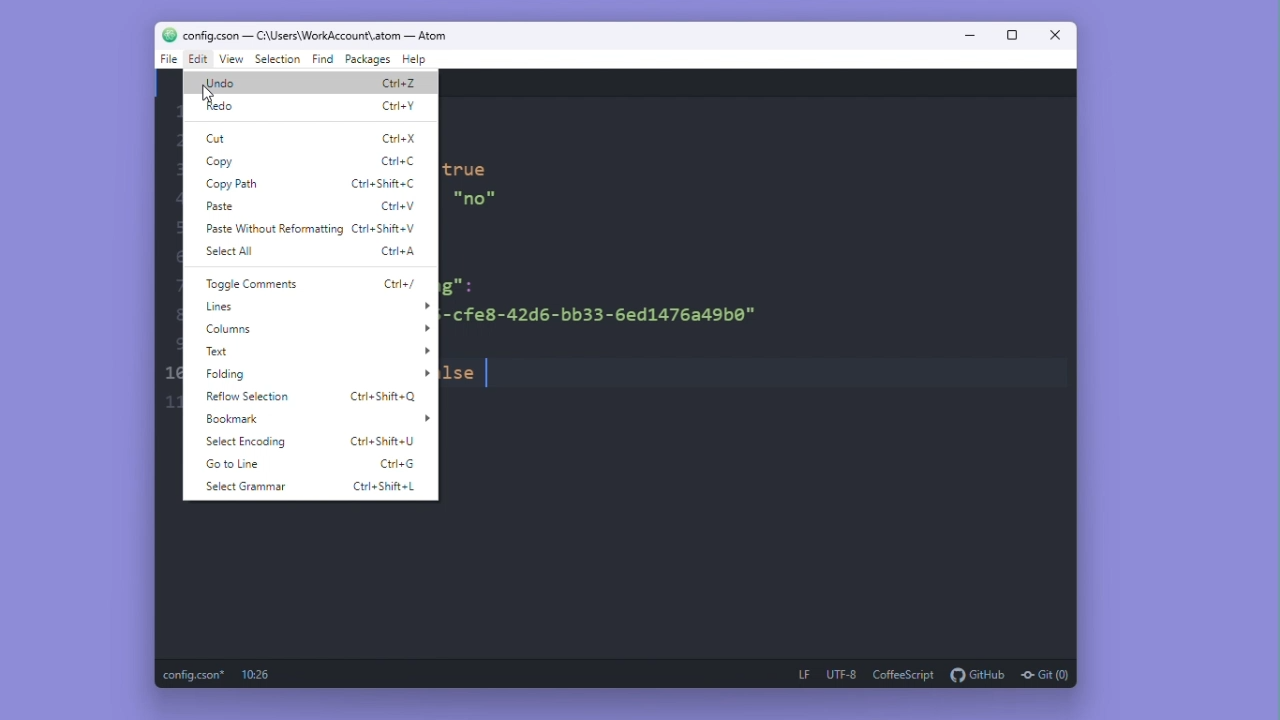 This screenshot has width=1280, height=720. What do you see at coordinates (397, 136) in the screenshot?
I see `ctrl+x` at bounding box center [397, 136].